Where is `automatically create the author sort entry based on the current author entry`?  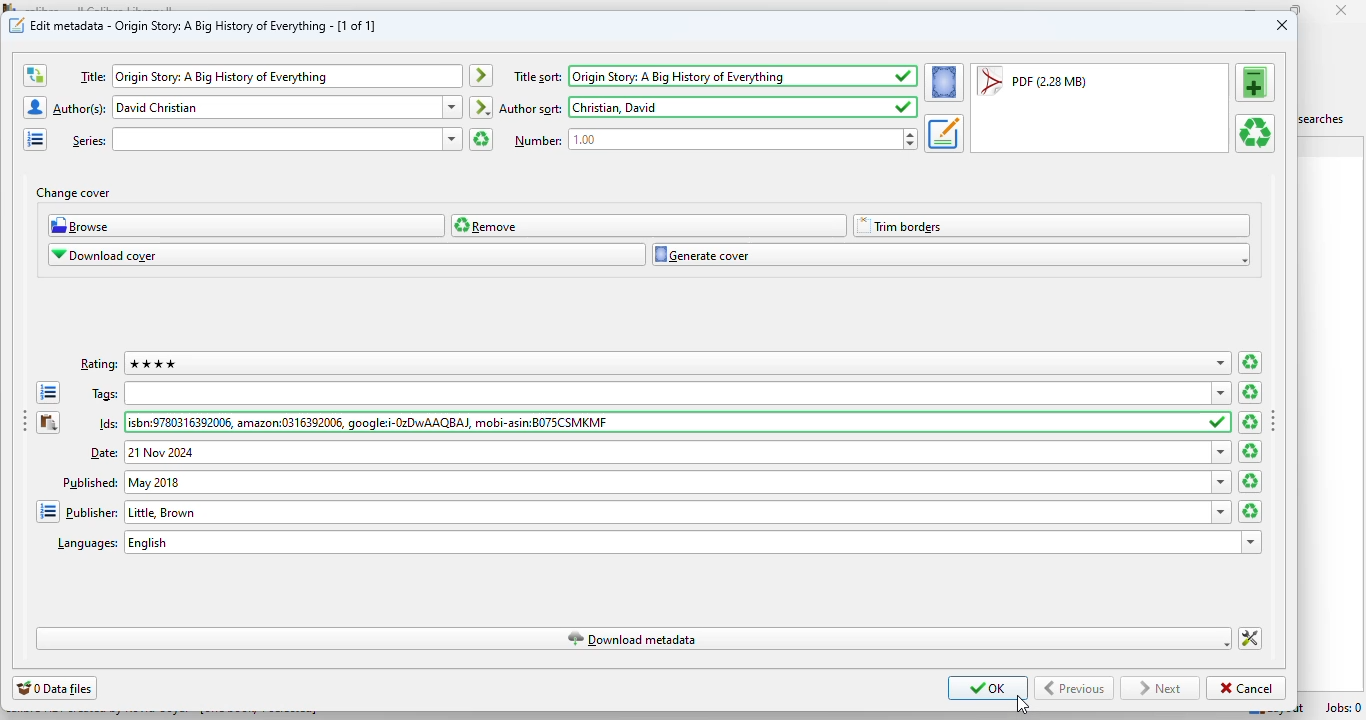 automatically create the author sort entry based on the current author entry is located at coordinates (480, 107).